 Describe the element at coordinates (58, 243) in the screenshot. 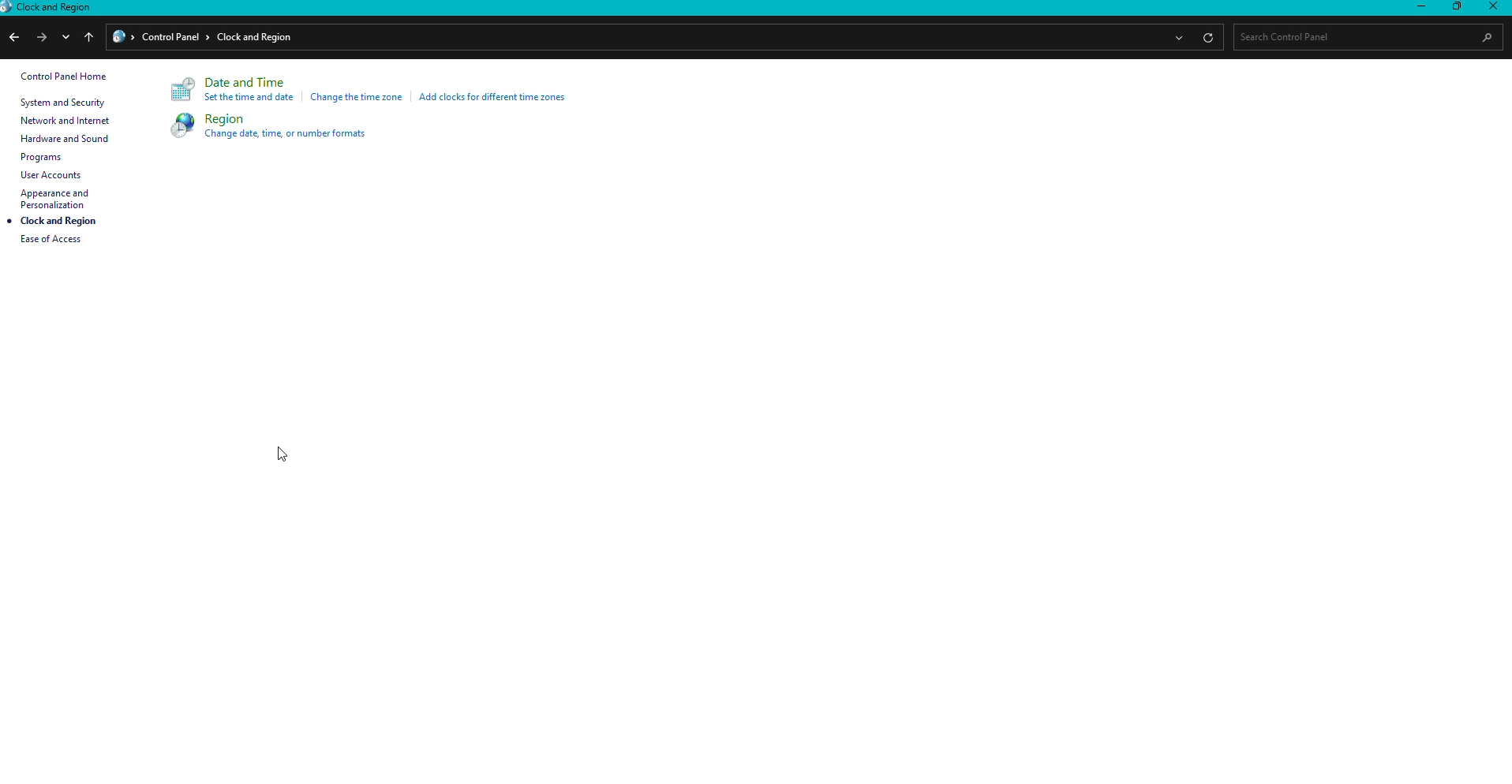

I see `Ease of access` at that location.